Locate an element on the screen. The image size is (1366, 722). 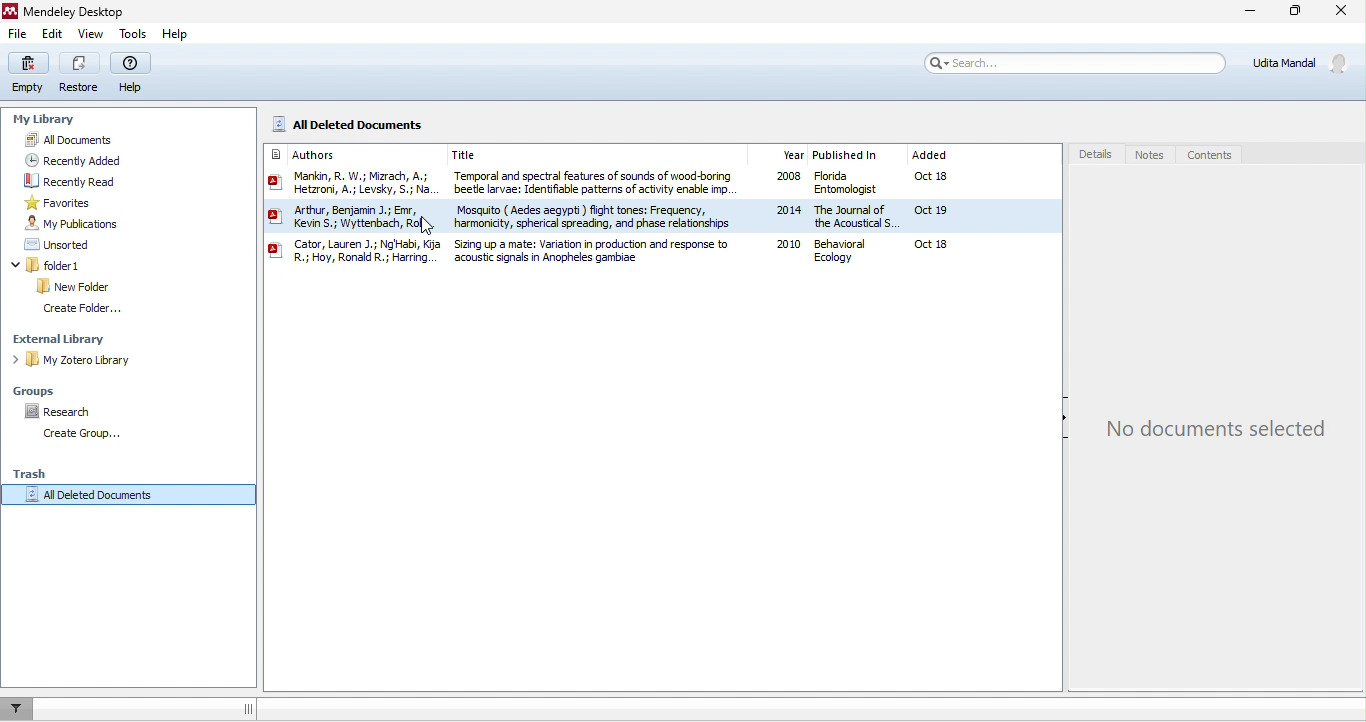
my zotero library is located at coordinates (80, 362).